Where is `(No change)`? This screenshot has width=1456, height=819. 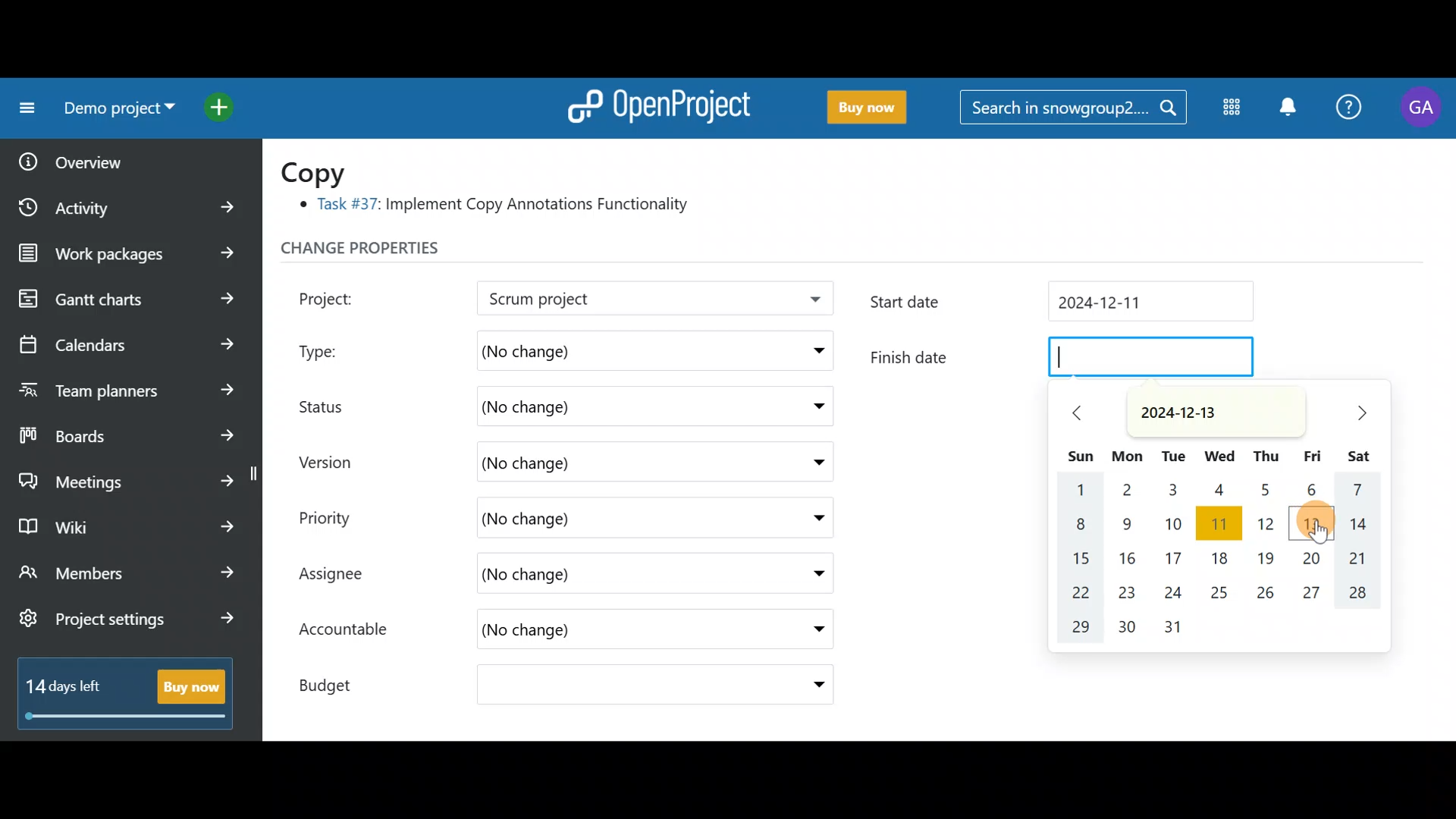
(No change) is located at coordinates (600, 348).